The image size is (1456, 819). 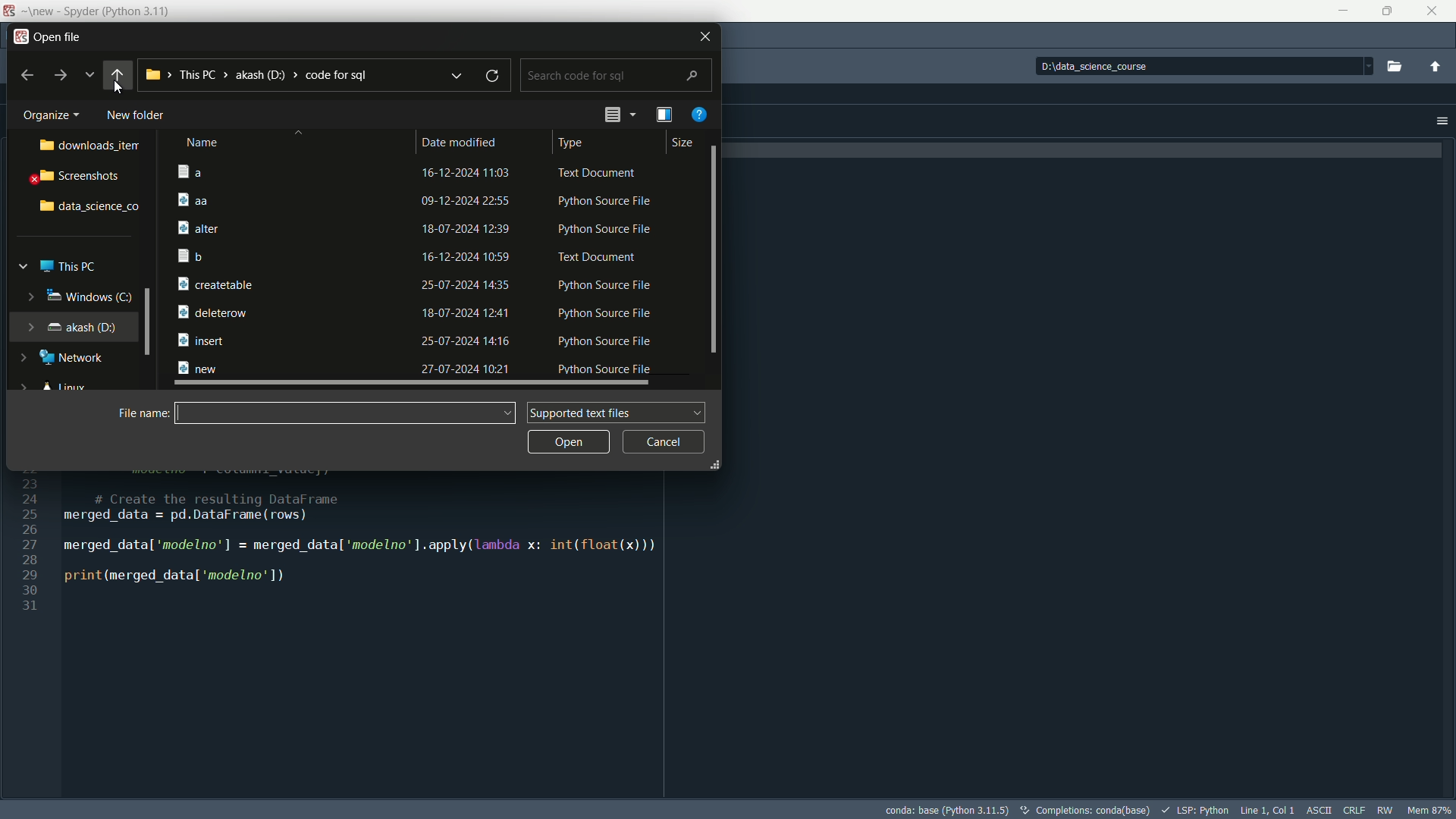 I want to click on B deleterow, so click(x=215, y=311).